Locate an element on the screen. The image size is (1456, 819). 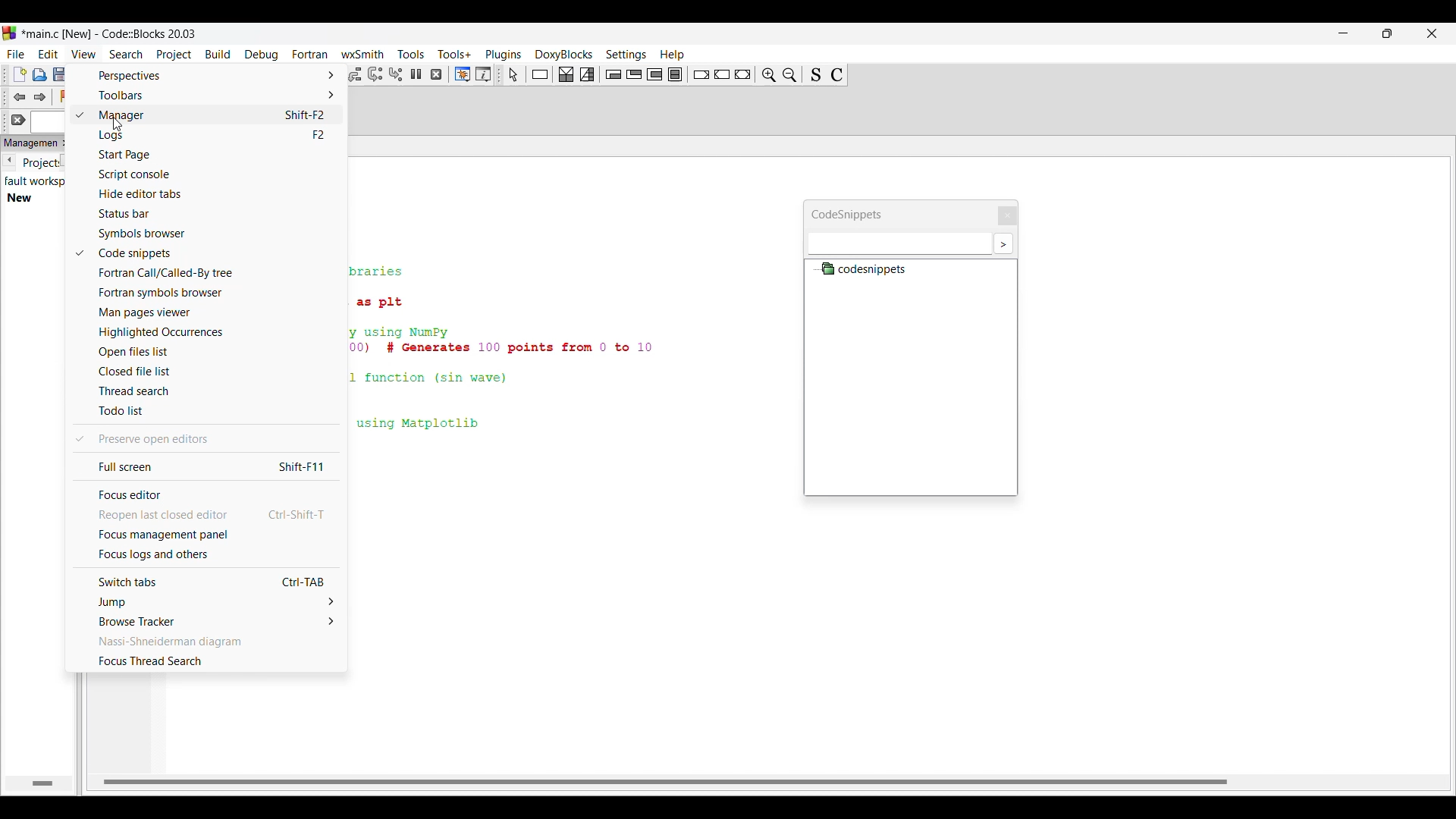
Open files list is located at coordinates (213, 352).